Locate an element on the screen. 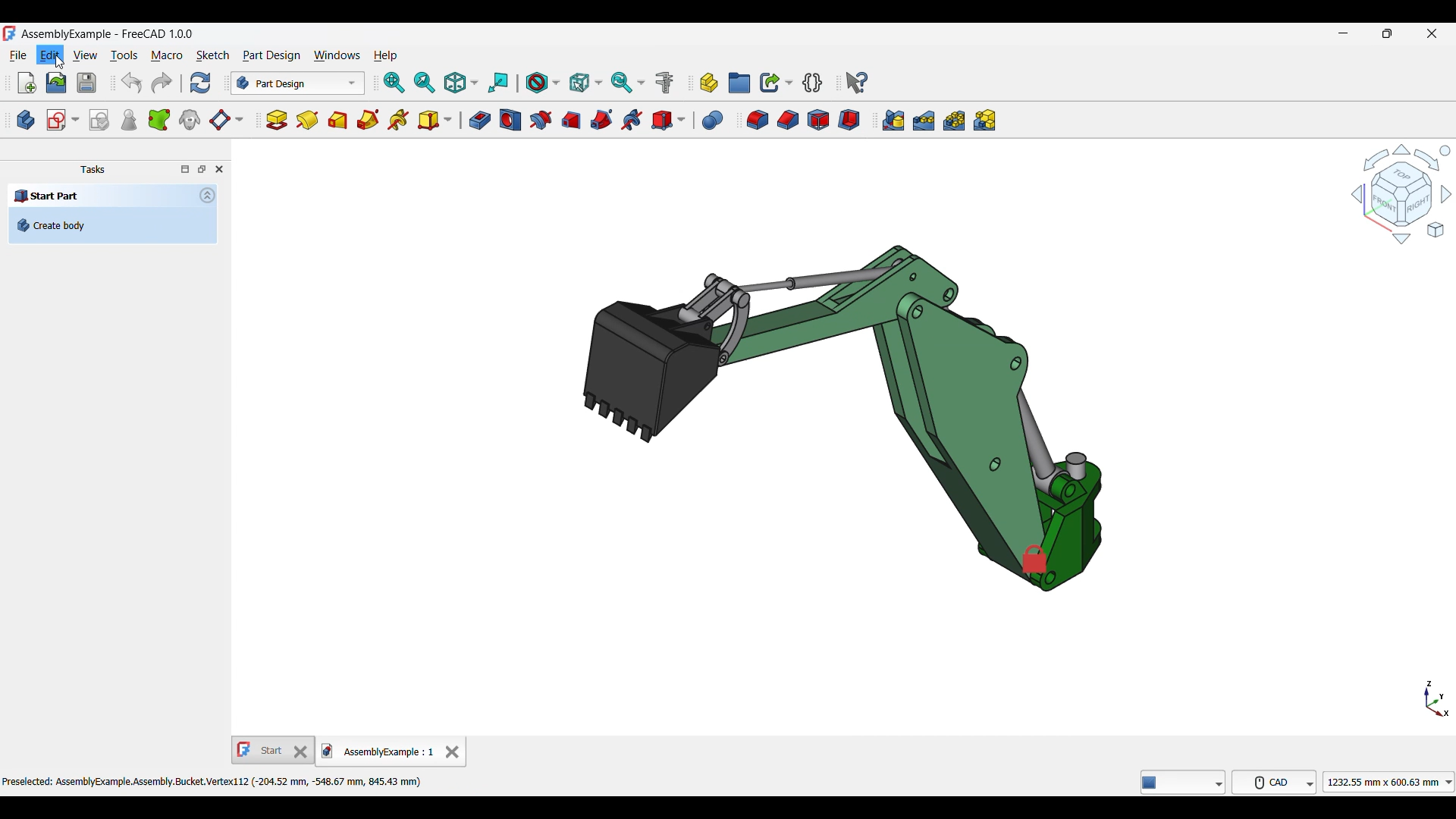 The image size is (1456, 819). Draft is located at coordinates (818, 120).